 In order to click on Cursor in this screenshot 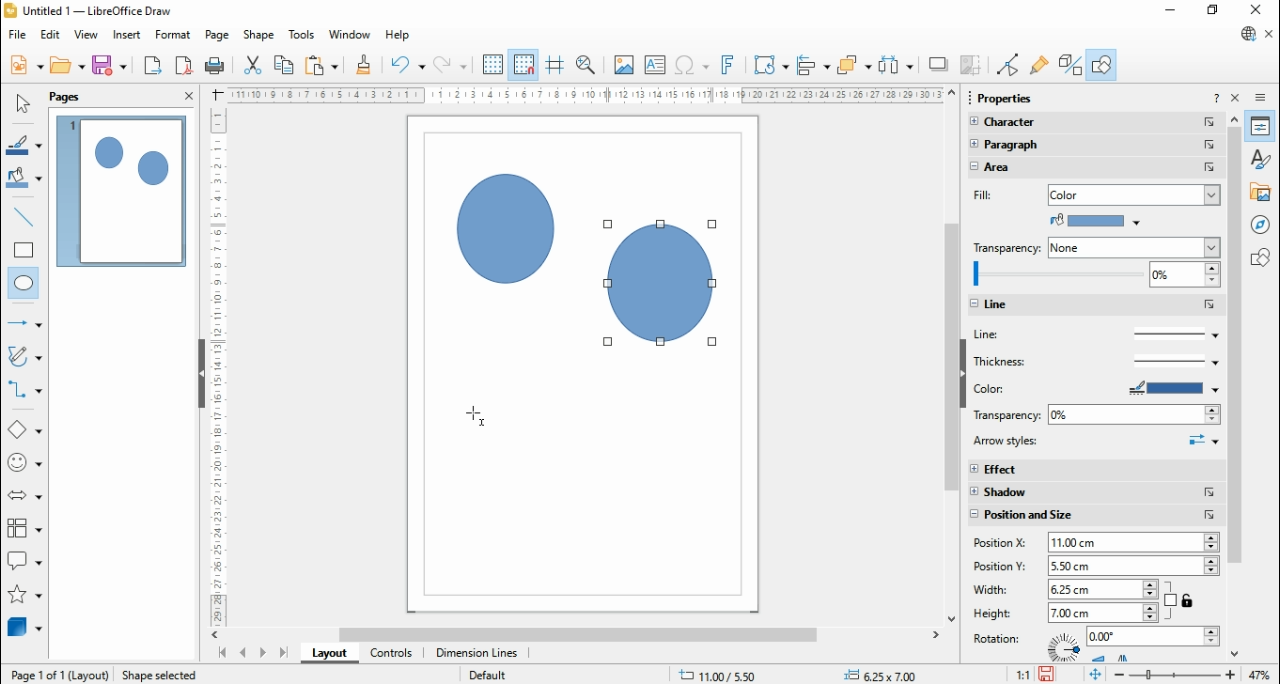, I will do `click(472, 415)`.